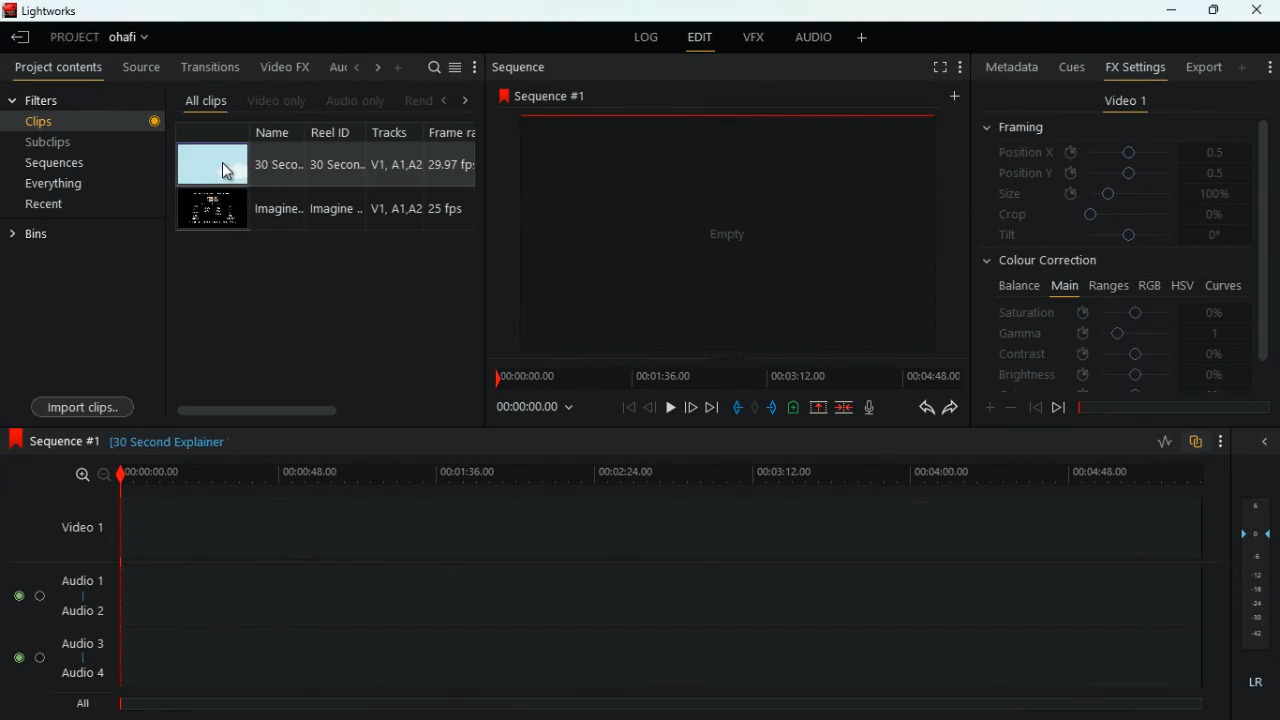 The height and width of the screenshot is (720, 1280). I want to click on back, so click(1035, 408).